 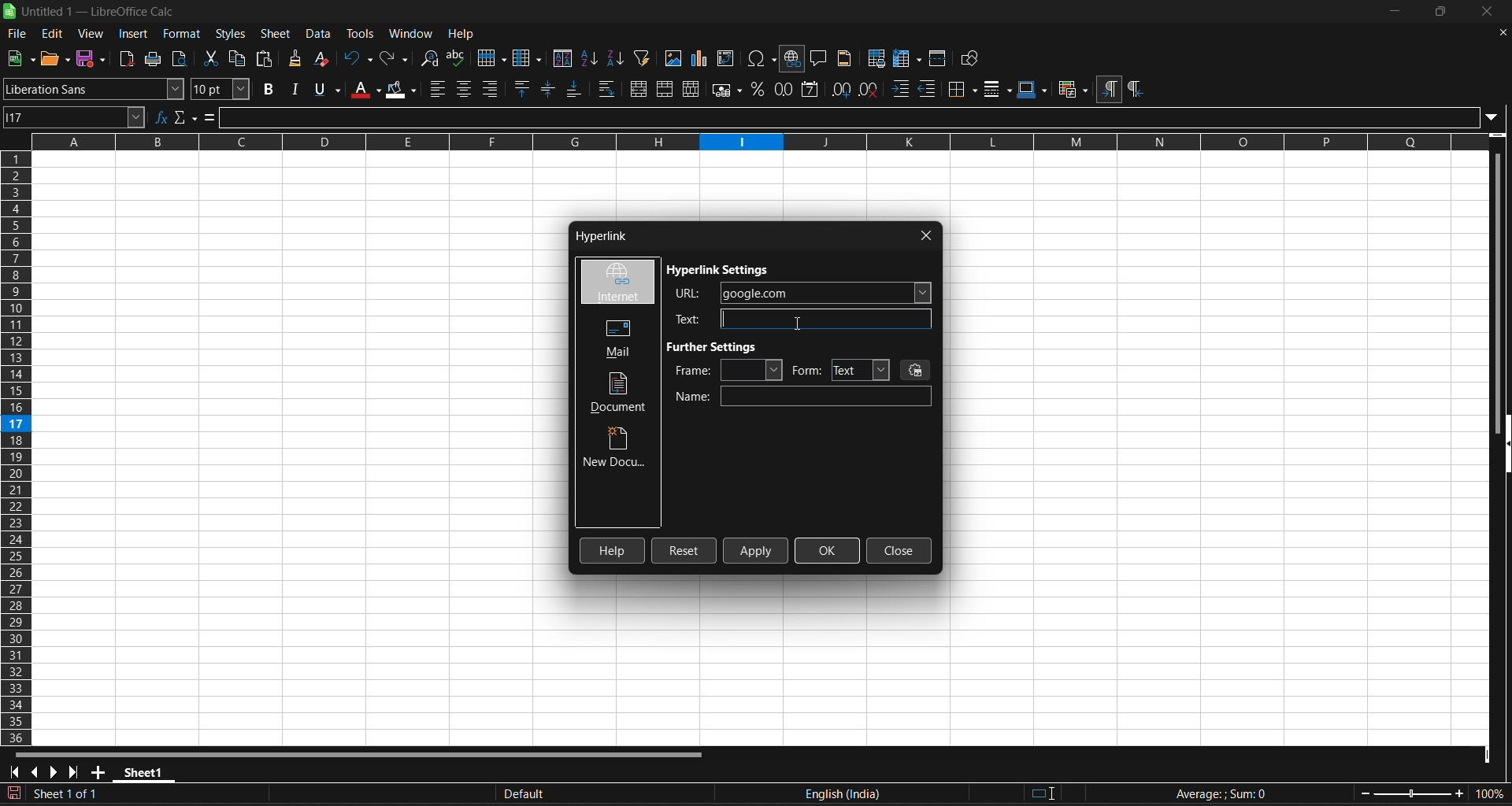 What do you see at coordinates (135, 34) in the screenshot?
I see `insert` at bounding box center [135, 34].